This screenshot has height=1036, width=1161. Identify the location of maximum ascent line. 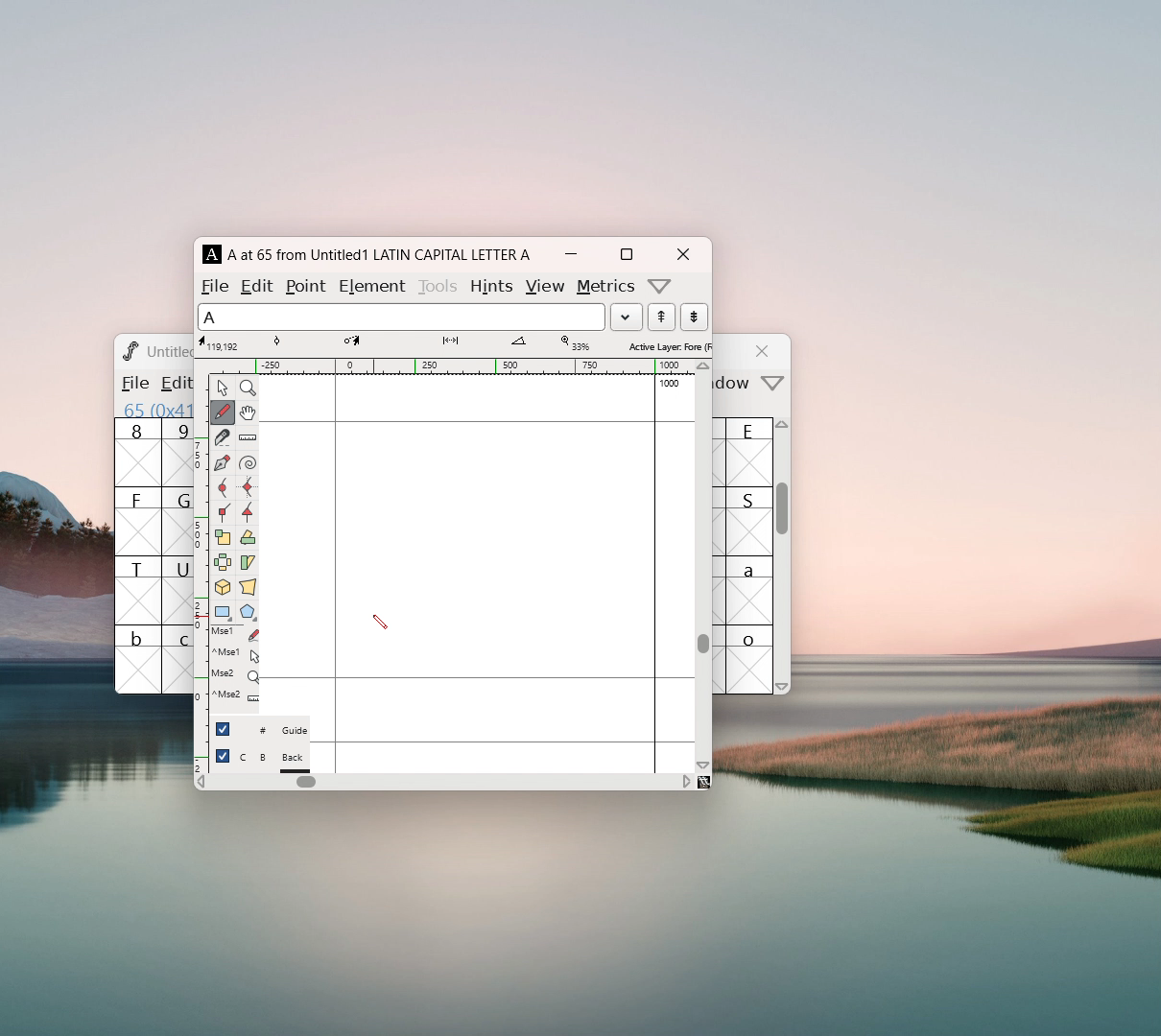
(477, 422).